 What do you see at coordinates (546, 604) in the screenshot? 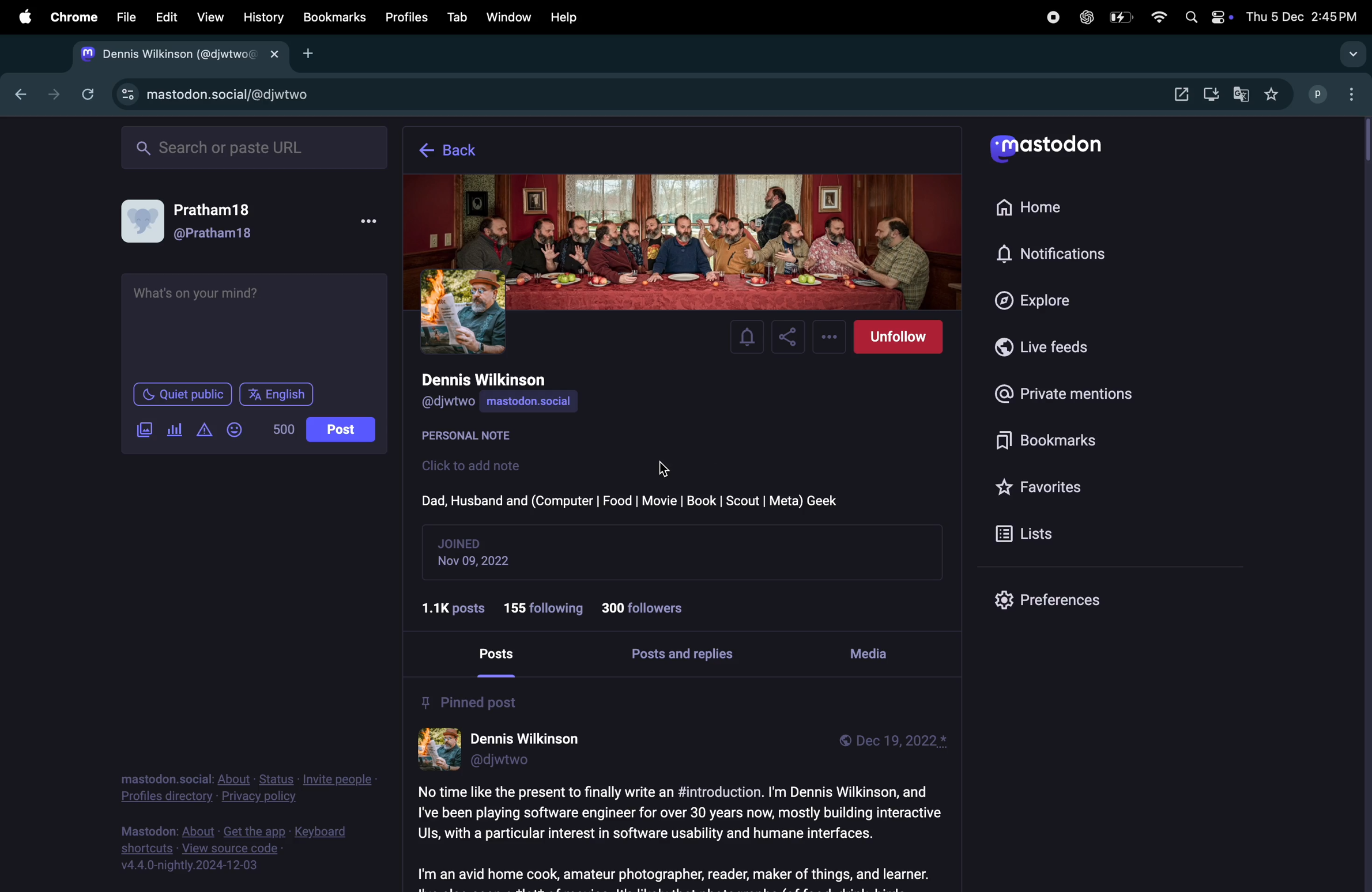
I see `155 following` at bounding box center [546, 604].